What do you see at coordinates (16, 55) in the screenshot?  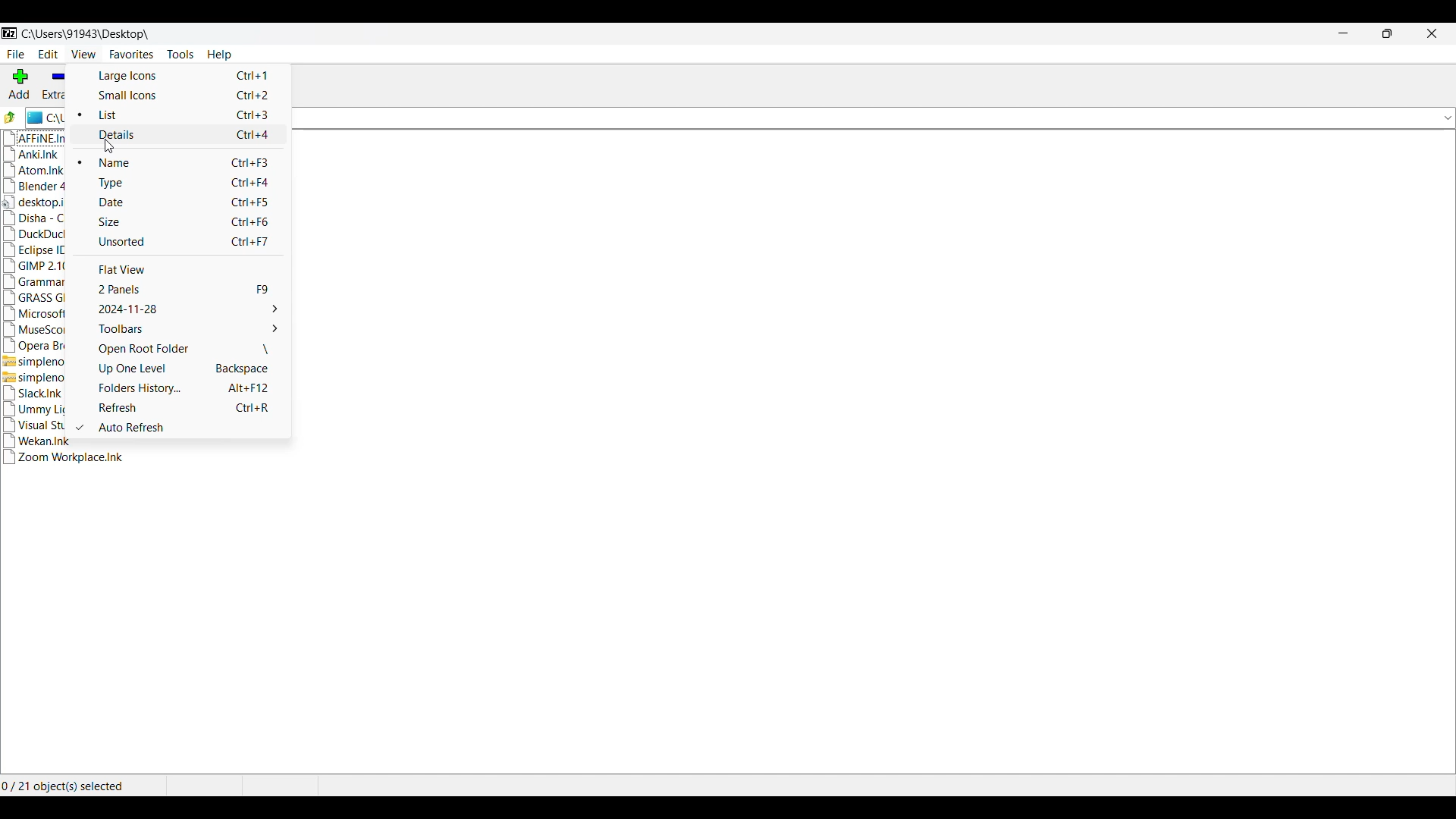 I see `File` at bounding box center [16, 55].